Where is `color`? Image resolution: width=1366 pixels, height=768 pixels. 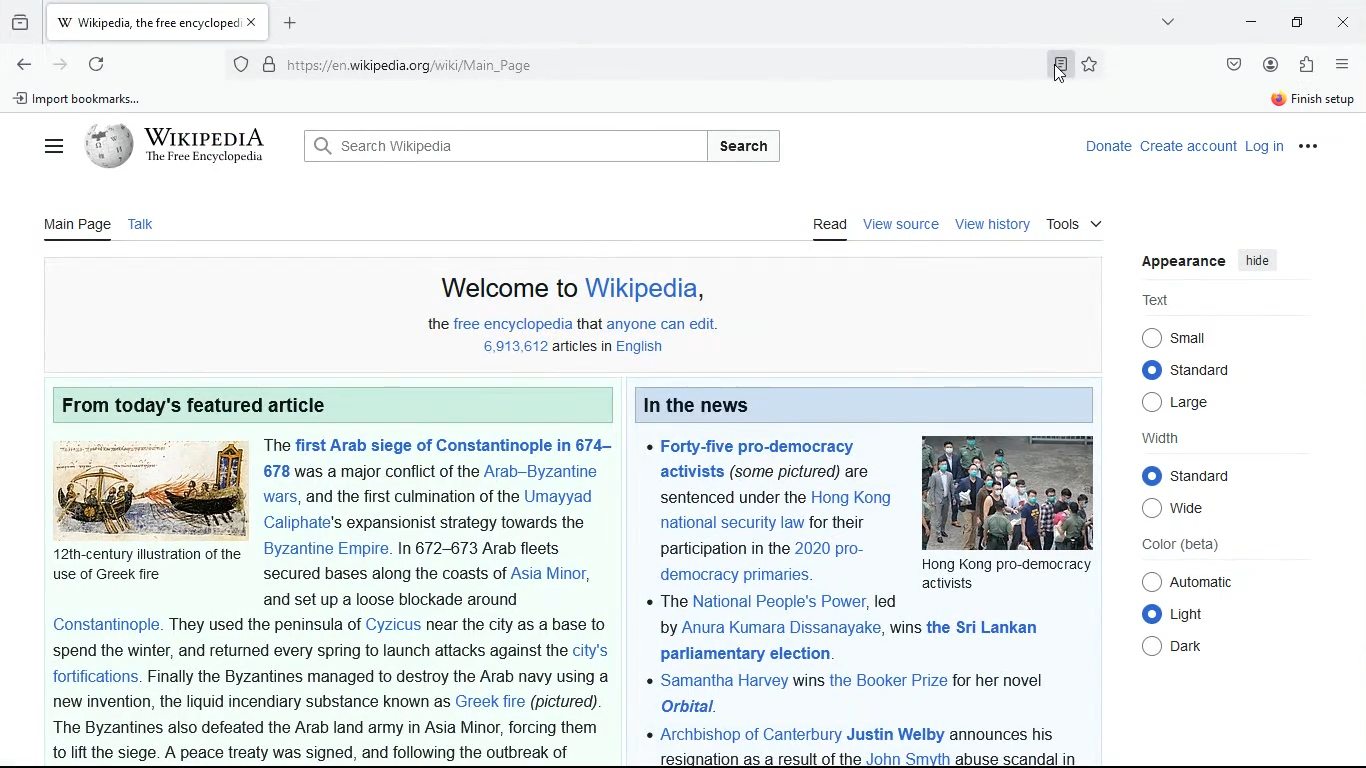
color is located at coordinates (1179, 546).